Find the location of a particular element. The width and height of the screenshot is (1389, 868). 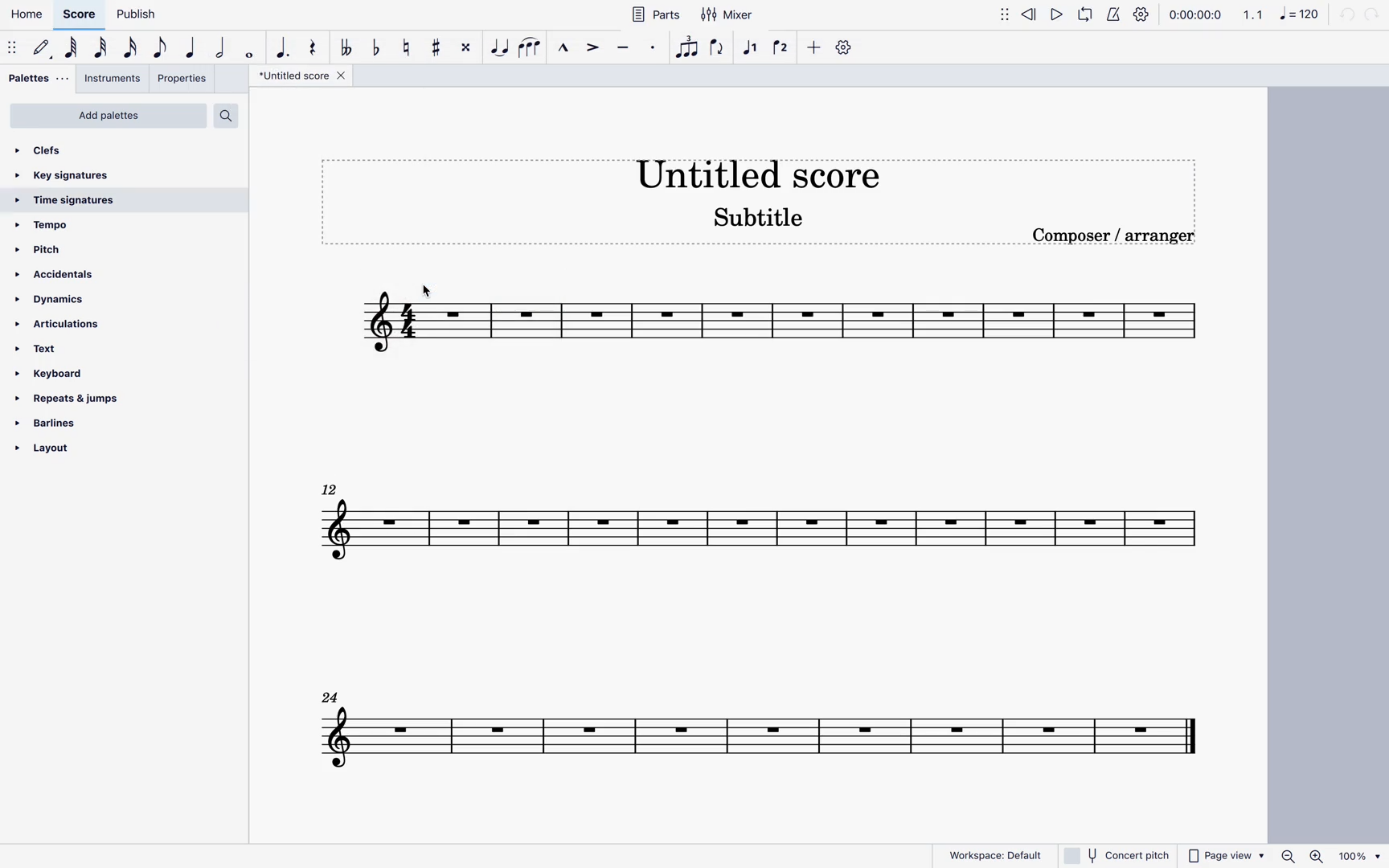

toggle flat is located at coordinates (372, 51).